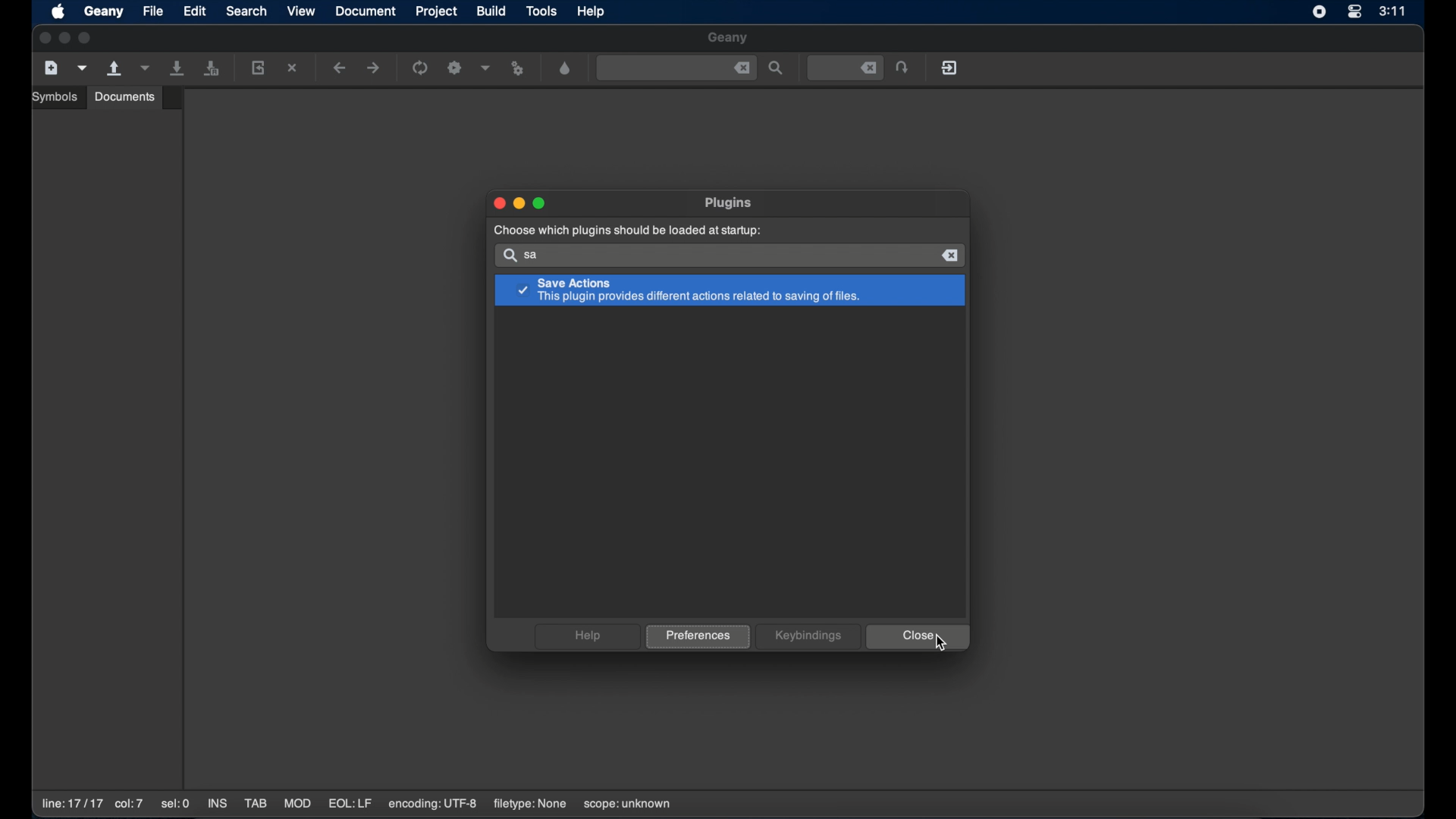 The image size is (1456, 819). What do you see at coordinates (492, 11) in the screenshot?
I see `build` at bounding box center [492, 11].